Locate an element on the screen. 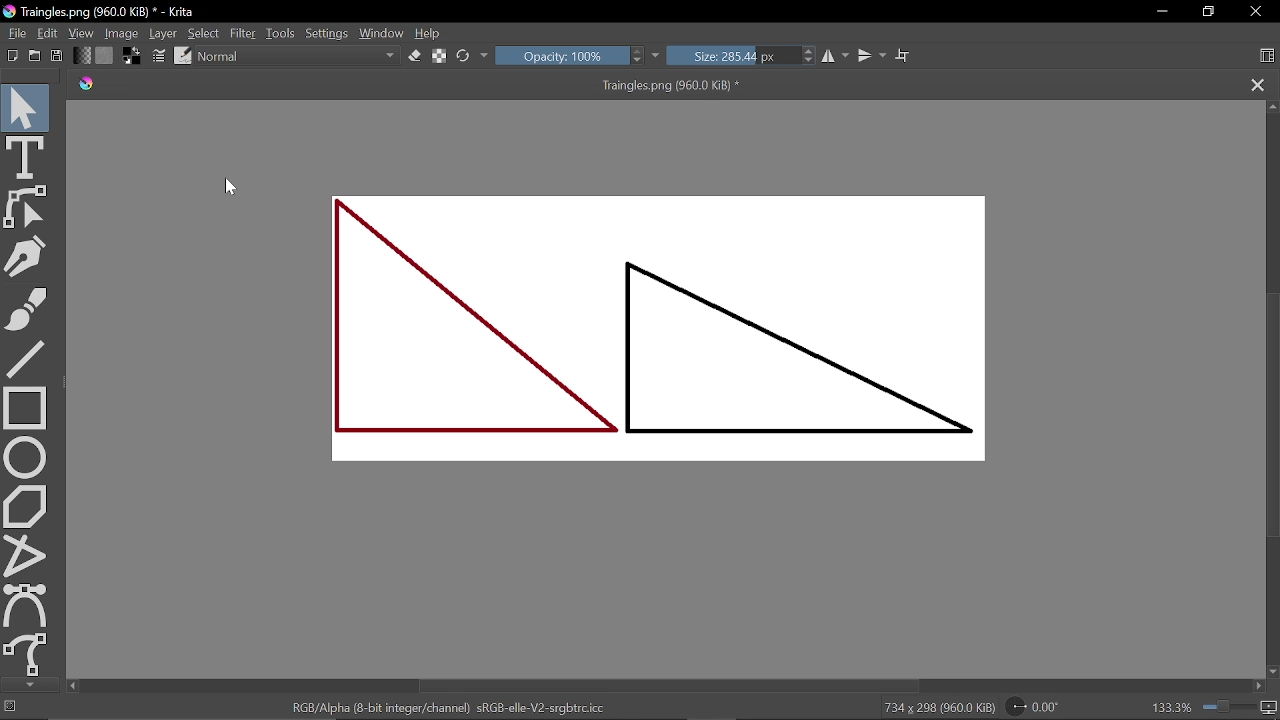  Refresh is located at coordinates (473, 55).